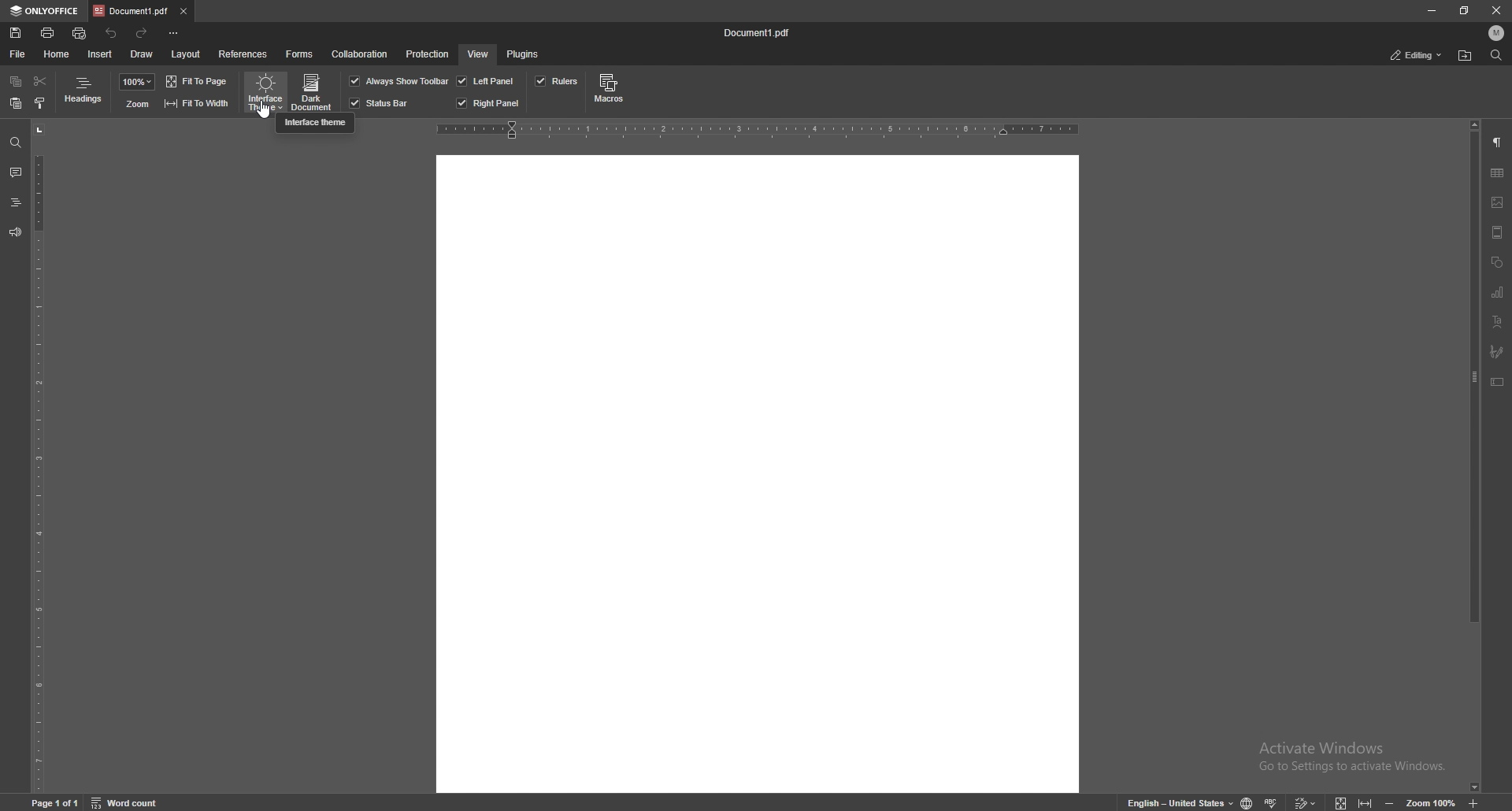 This screenshot has width=1512, height=811. Describe the element at coordinates (360, 54) in the screenshot. I see `collaboration` at that location.